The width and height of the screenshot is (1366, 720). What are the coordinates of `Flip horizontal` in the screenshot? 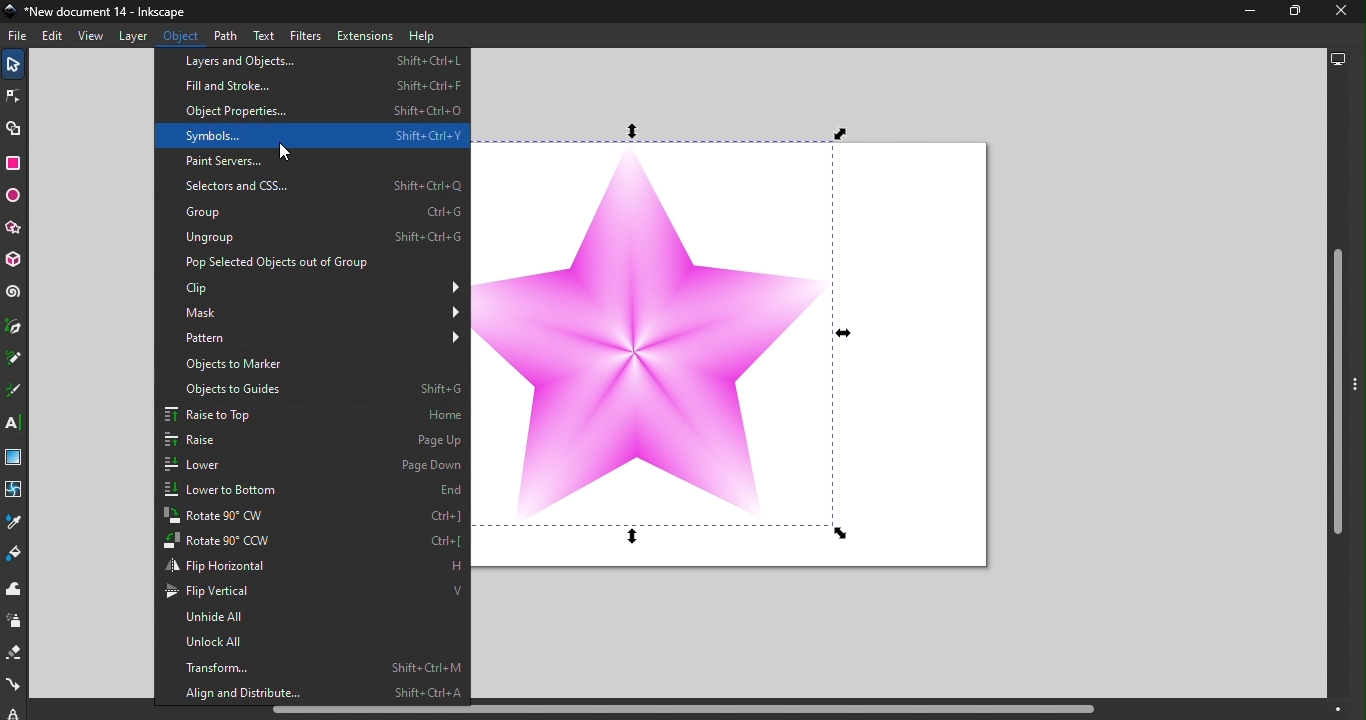 It's located at (310, 568).